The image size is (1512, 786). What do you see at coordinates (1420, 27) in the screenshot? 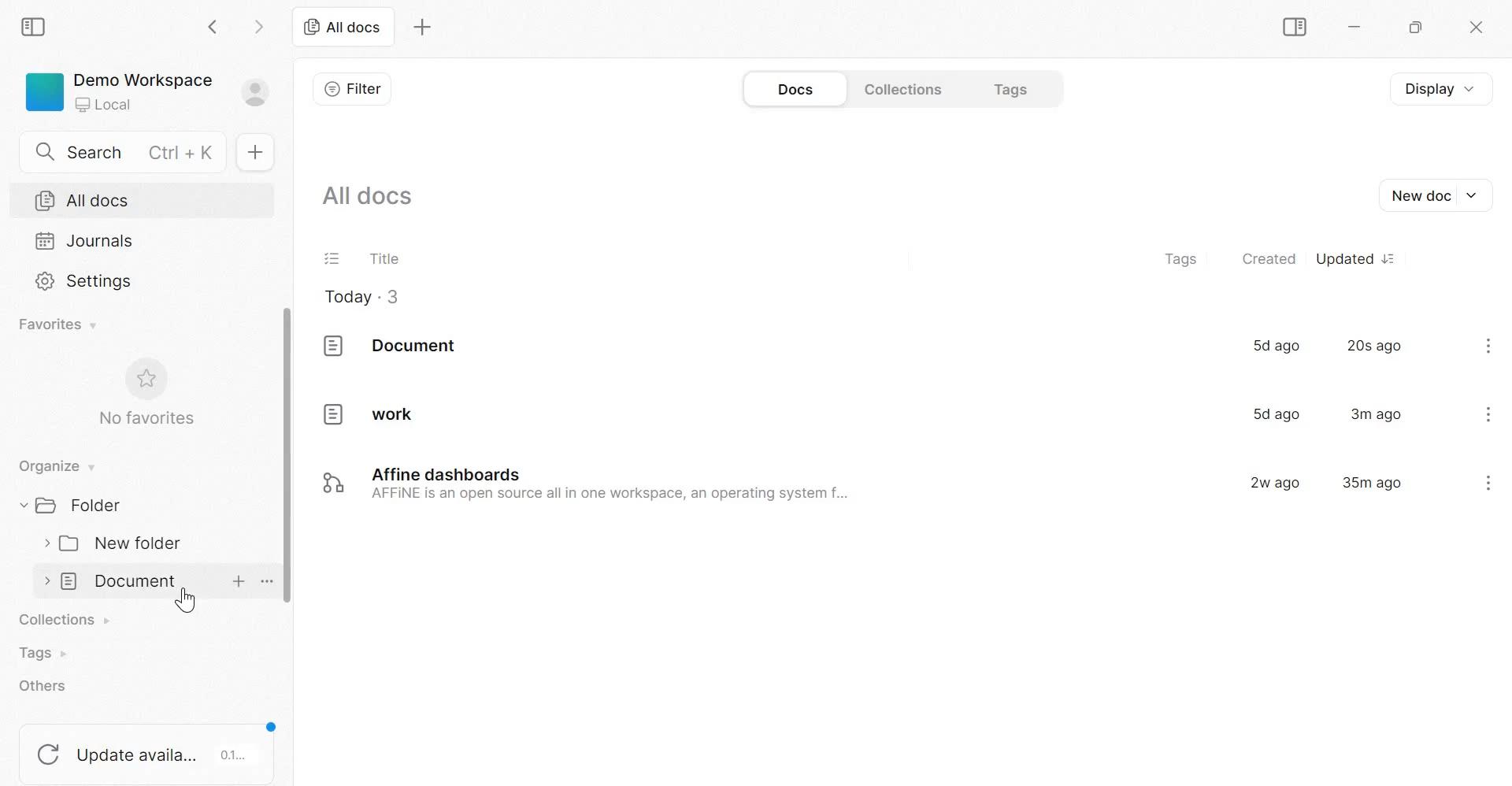
I see `Maximize` at bounding box center [1420, 27].